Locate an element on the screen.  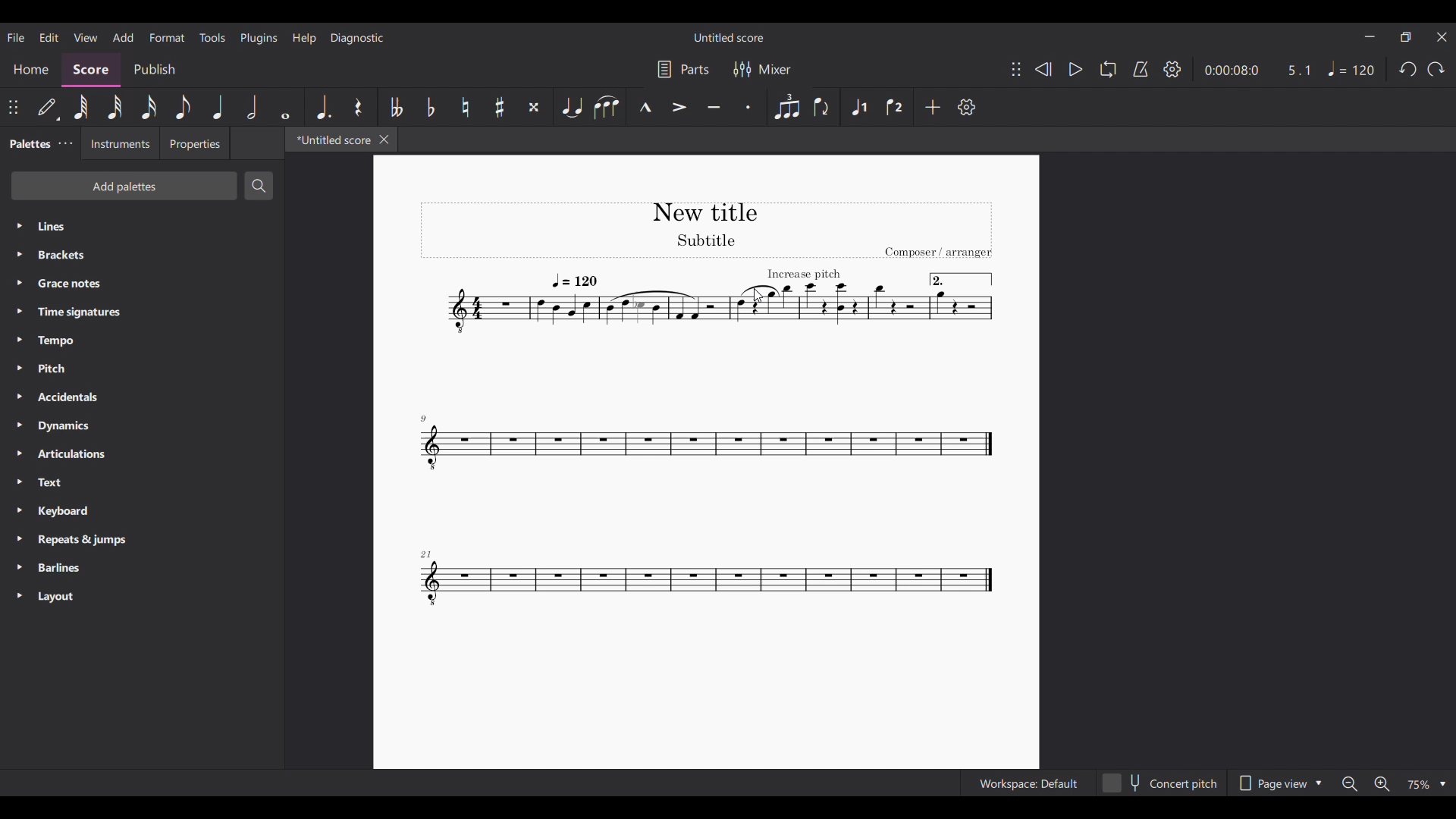
Score, current section highlighted is located at coordinates (92, 71).